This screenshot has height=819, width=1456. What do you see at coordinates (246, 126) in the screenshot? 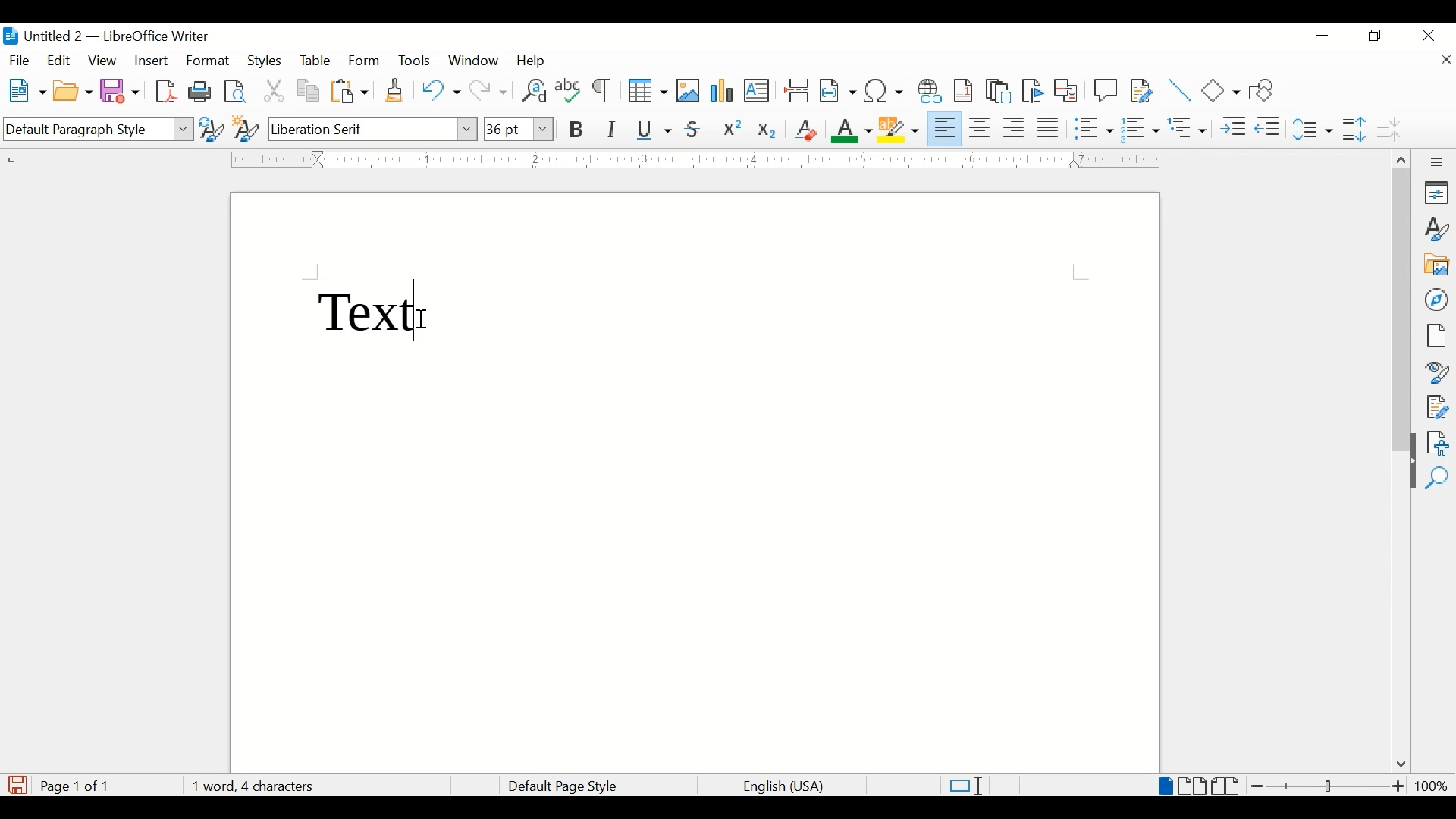
I see `new style from selection` at bounding box center [246, 126].